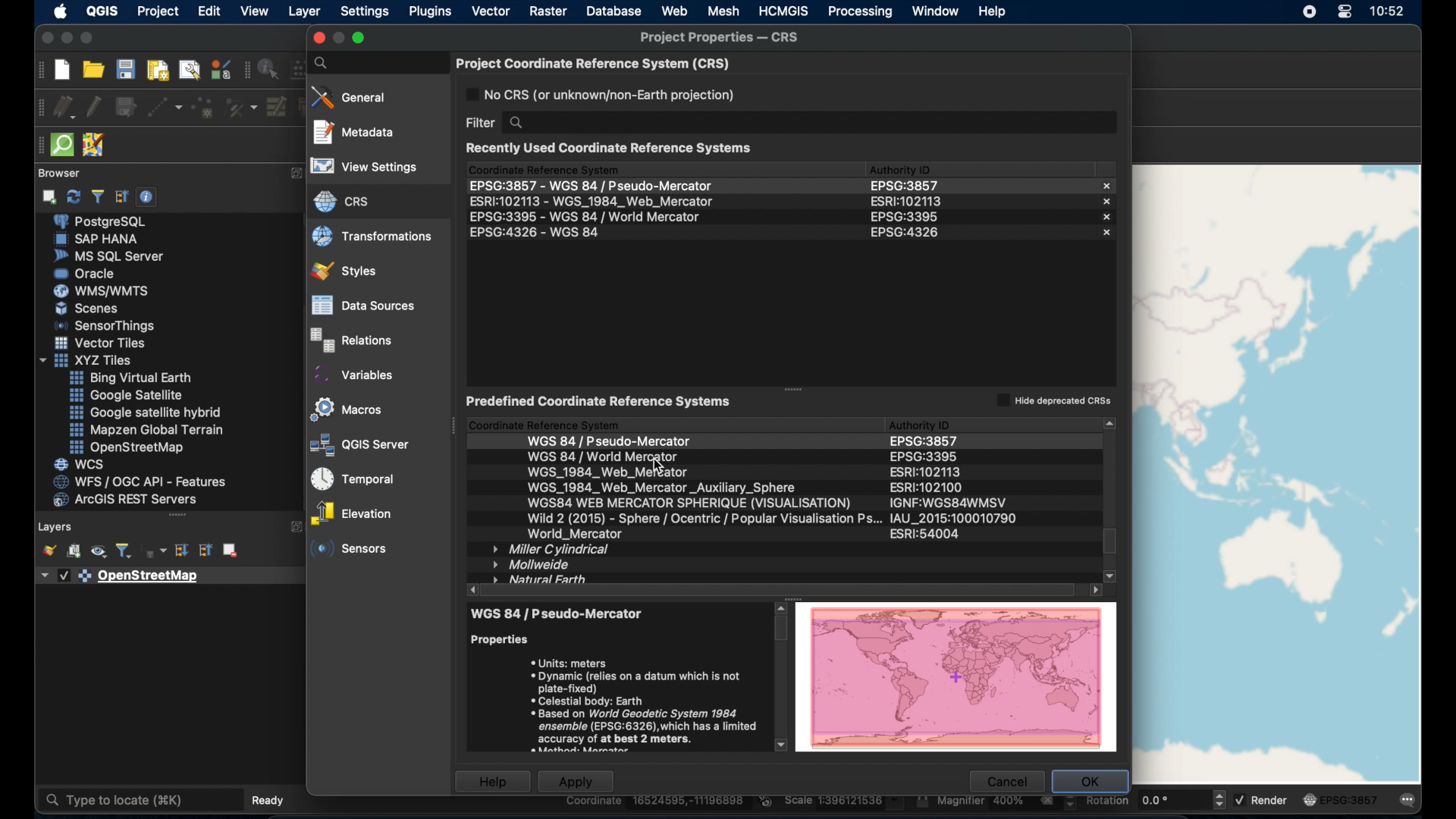 The height and width of the screenshot is (819, 1456). What do you see at coordinates (89, 37) in the screenshot?
I see `maximize` at bounding box center [89, 37].